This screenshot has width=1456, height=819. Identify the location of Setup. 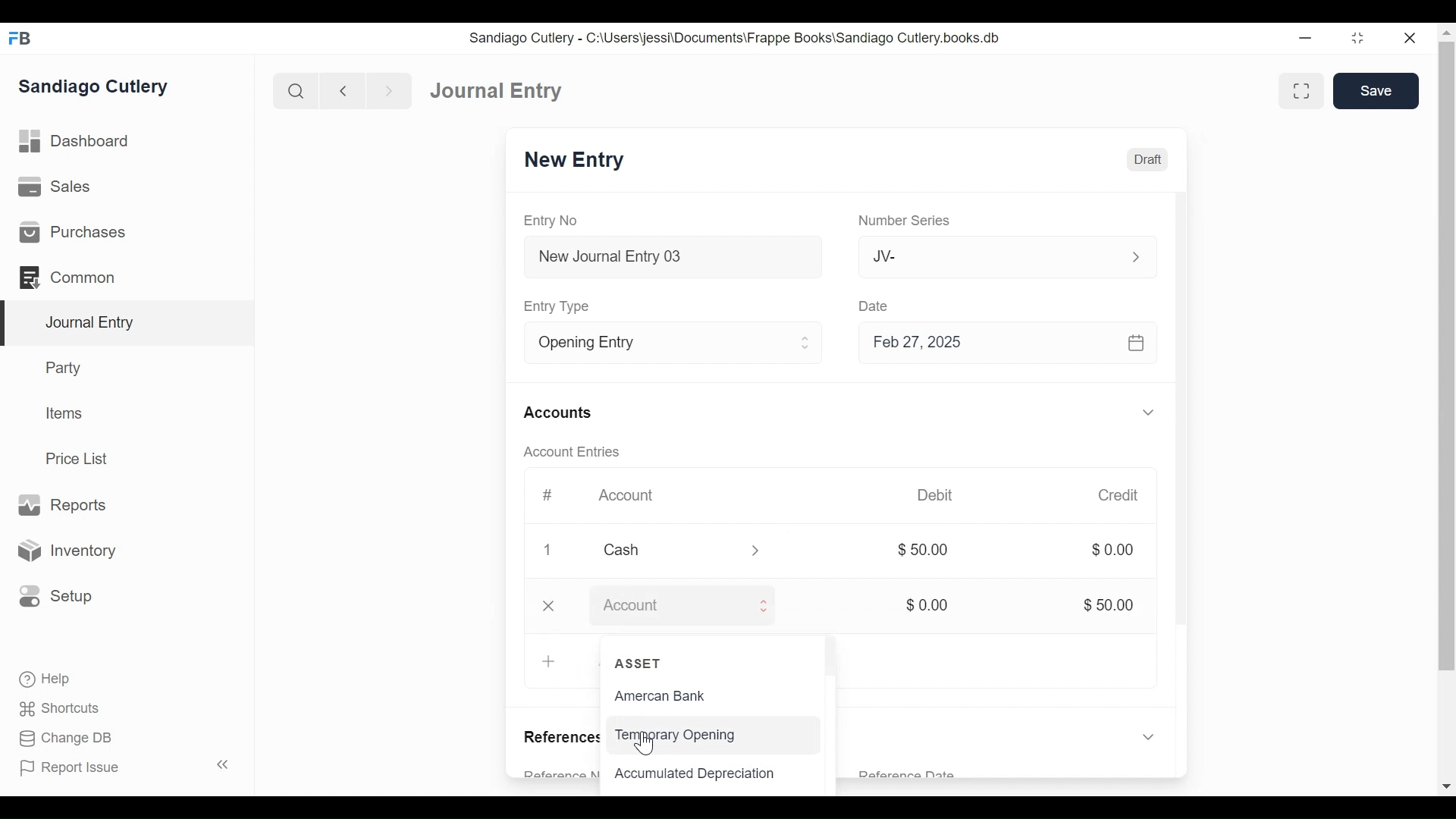
(56, 597).